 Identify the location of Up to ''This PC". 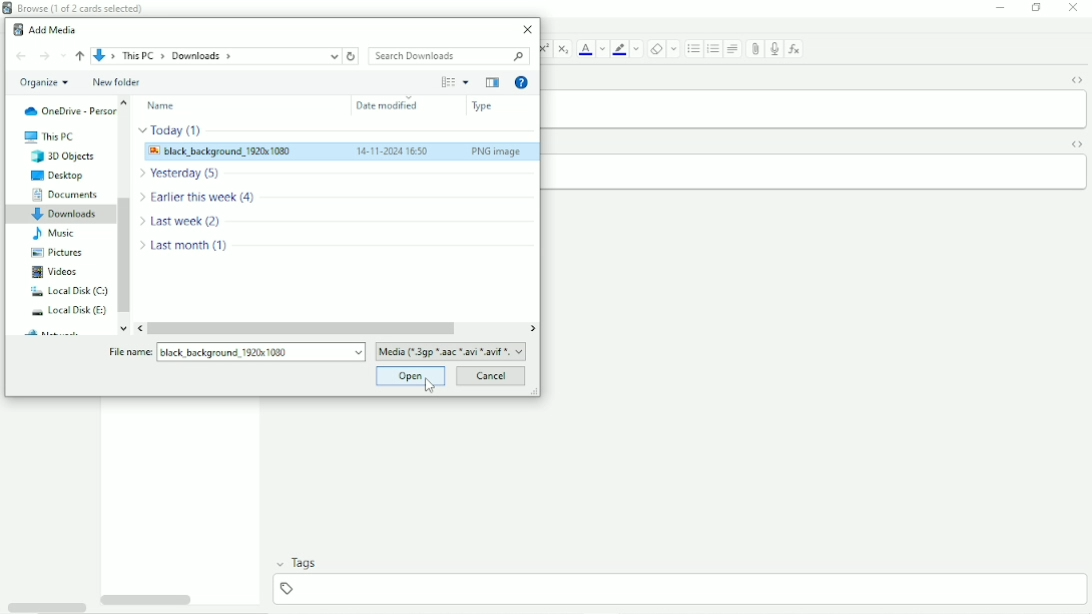
(80, 56).